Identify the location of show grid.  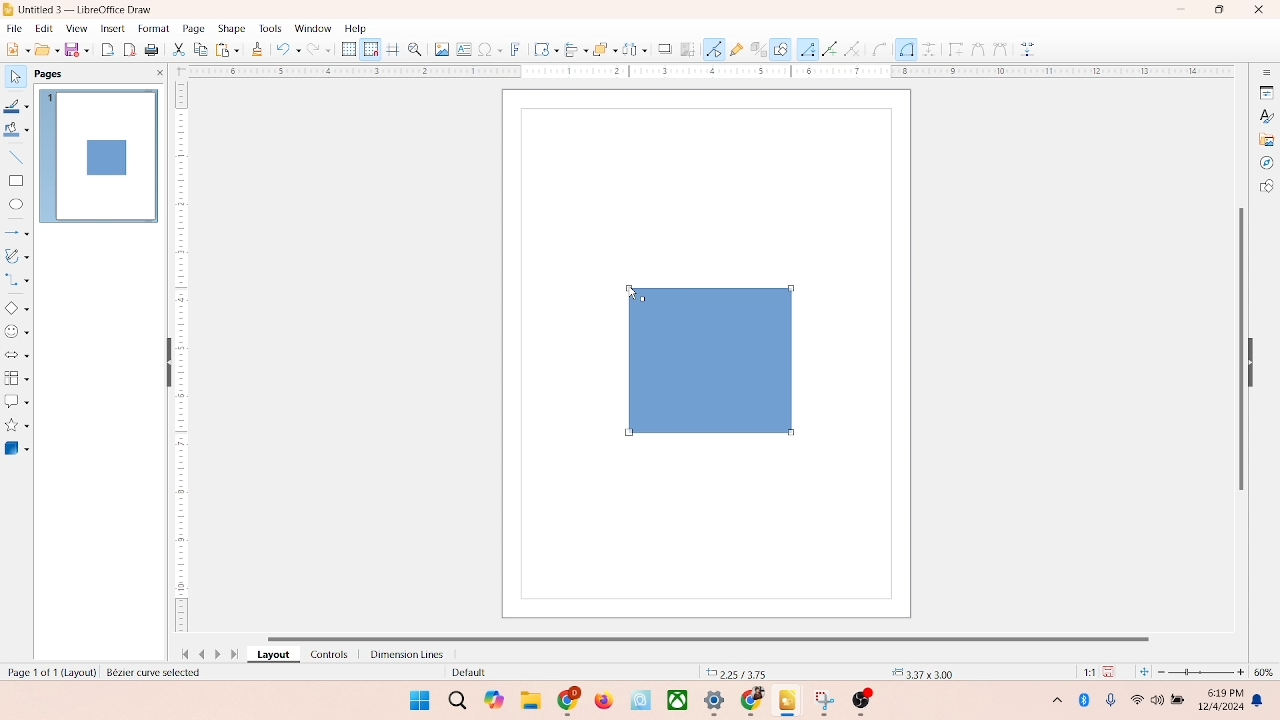
(348, 50).